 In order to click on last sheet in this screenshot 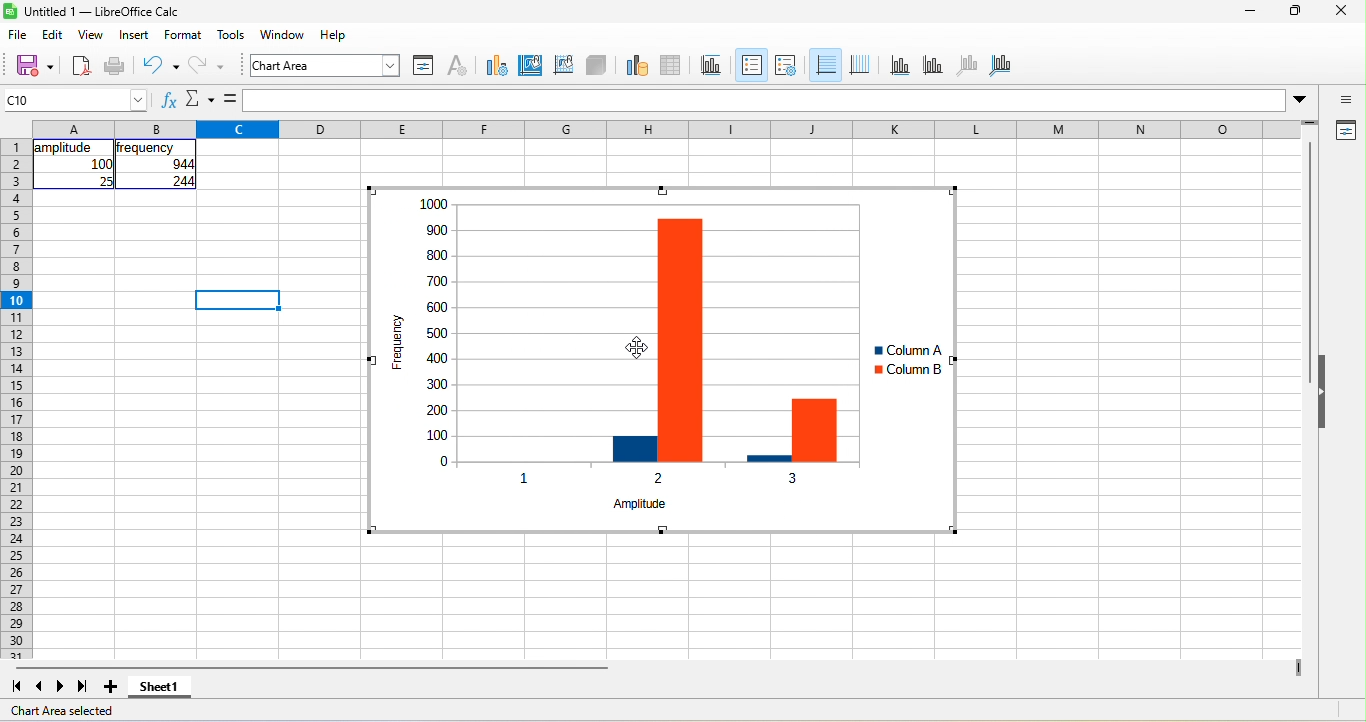, I will do `click(83, 687)`.